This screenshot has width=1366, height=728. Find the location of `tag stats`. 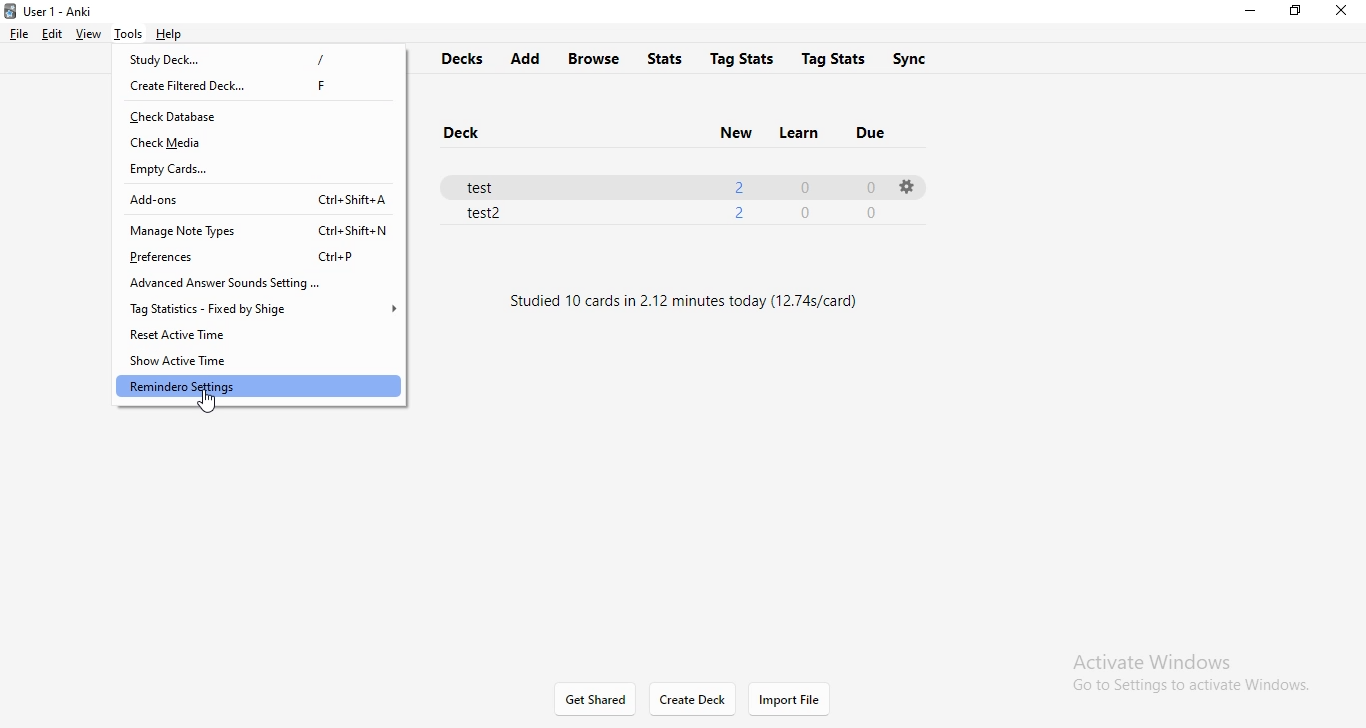

tag stats is located at coordinates (742, 57).